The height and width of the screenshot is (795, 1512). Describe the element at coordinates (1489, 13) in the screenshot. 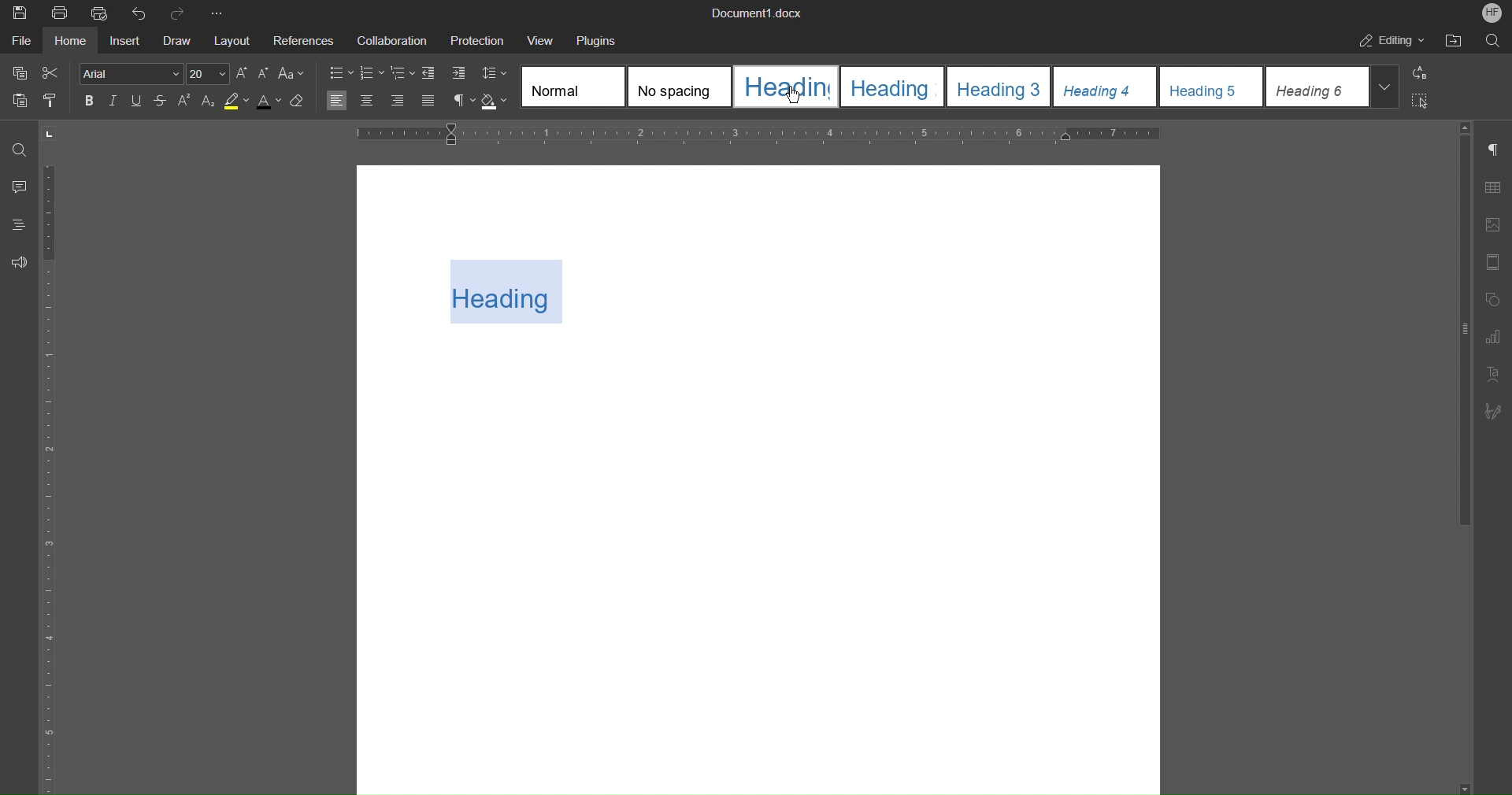

I see `HF` at that location.